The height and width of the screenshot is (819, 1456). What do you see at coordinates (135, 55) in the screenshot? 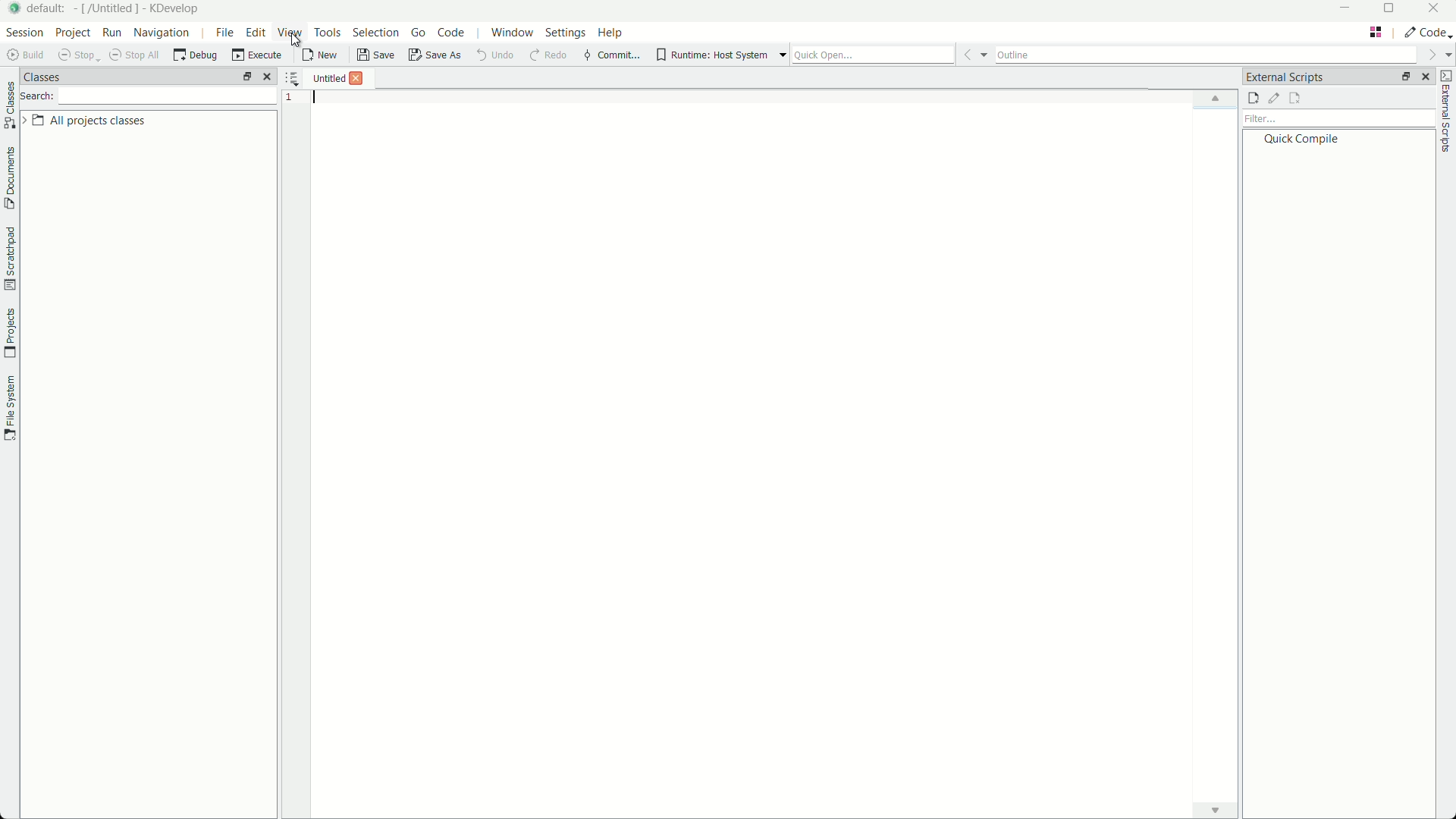
I see `shop all` at bounding box center [135, 55].